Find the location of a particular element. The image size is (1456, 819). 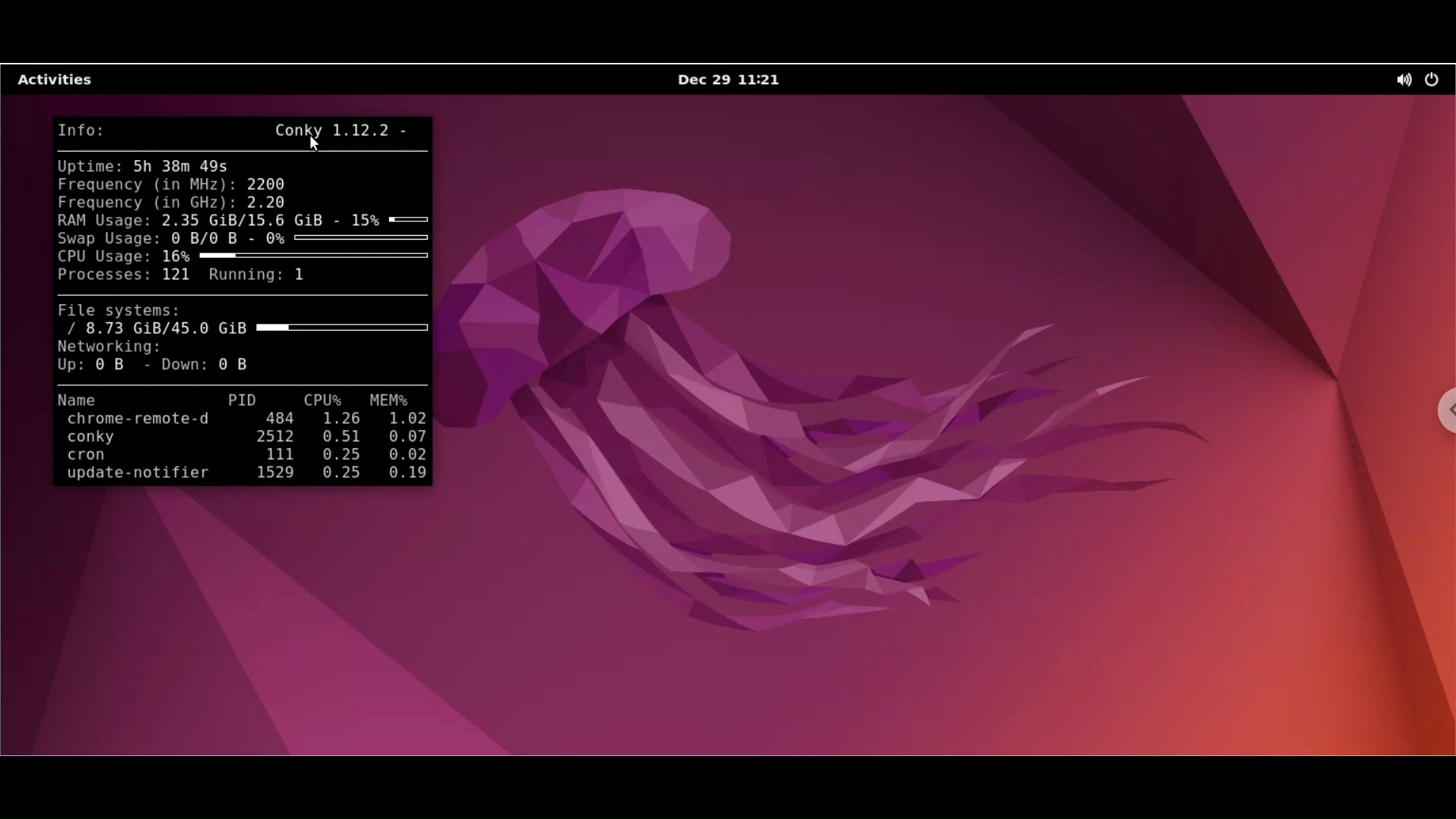

2200 is located at coordinates (268, 184).